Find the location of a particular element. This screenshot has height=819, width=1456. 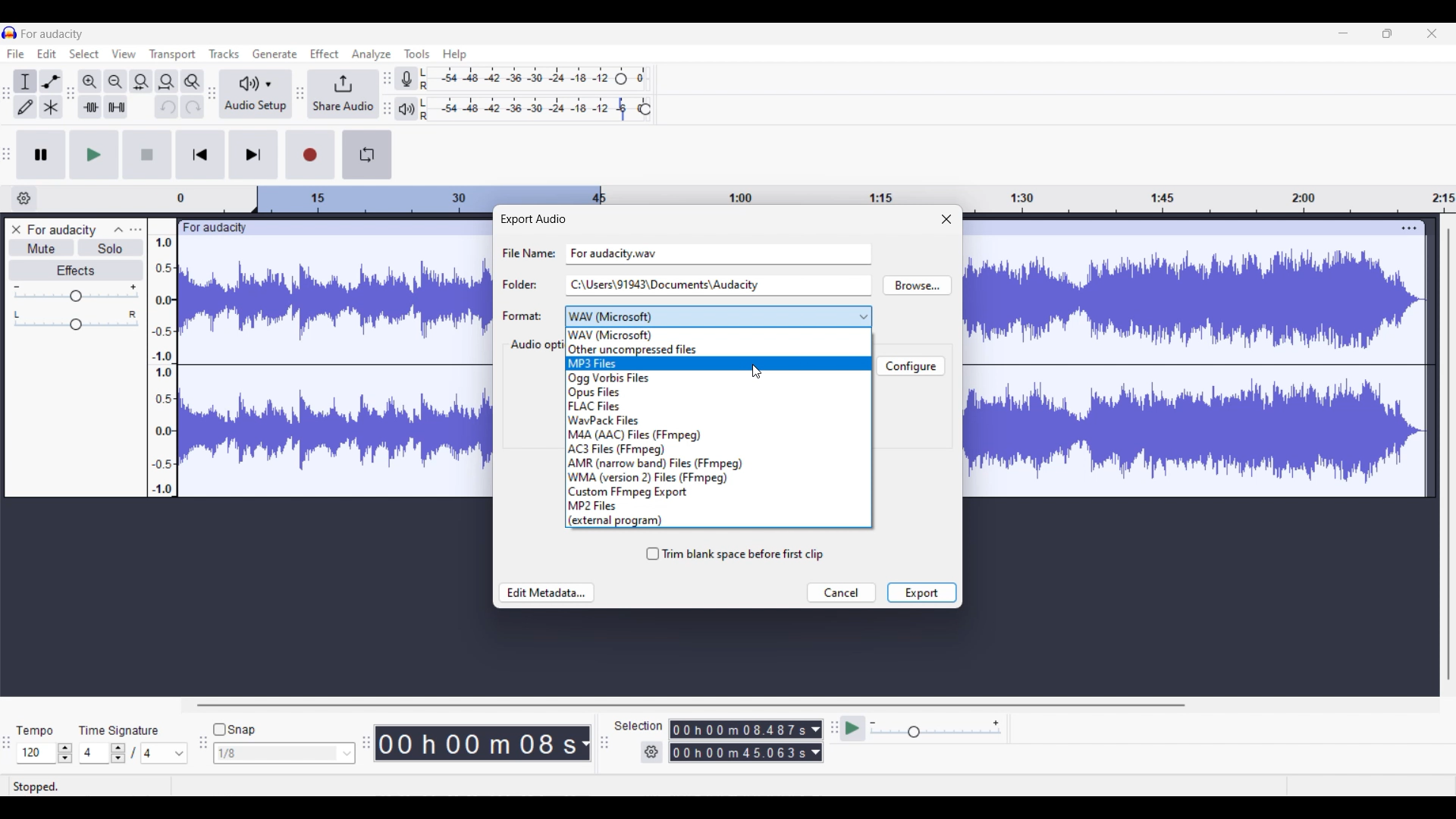

Indicates selection duration is located at coordinates (639, 726).